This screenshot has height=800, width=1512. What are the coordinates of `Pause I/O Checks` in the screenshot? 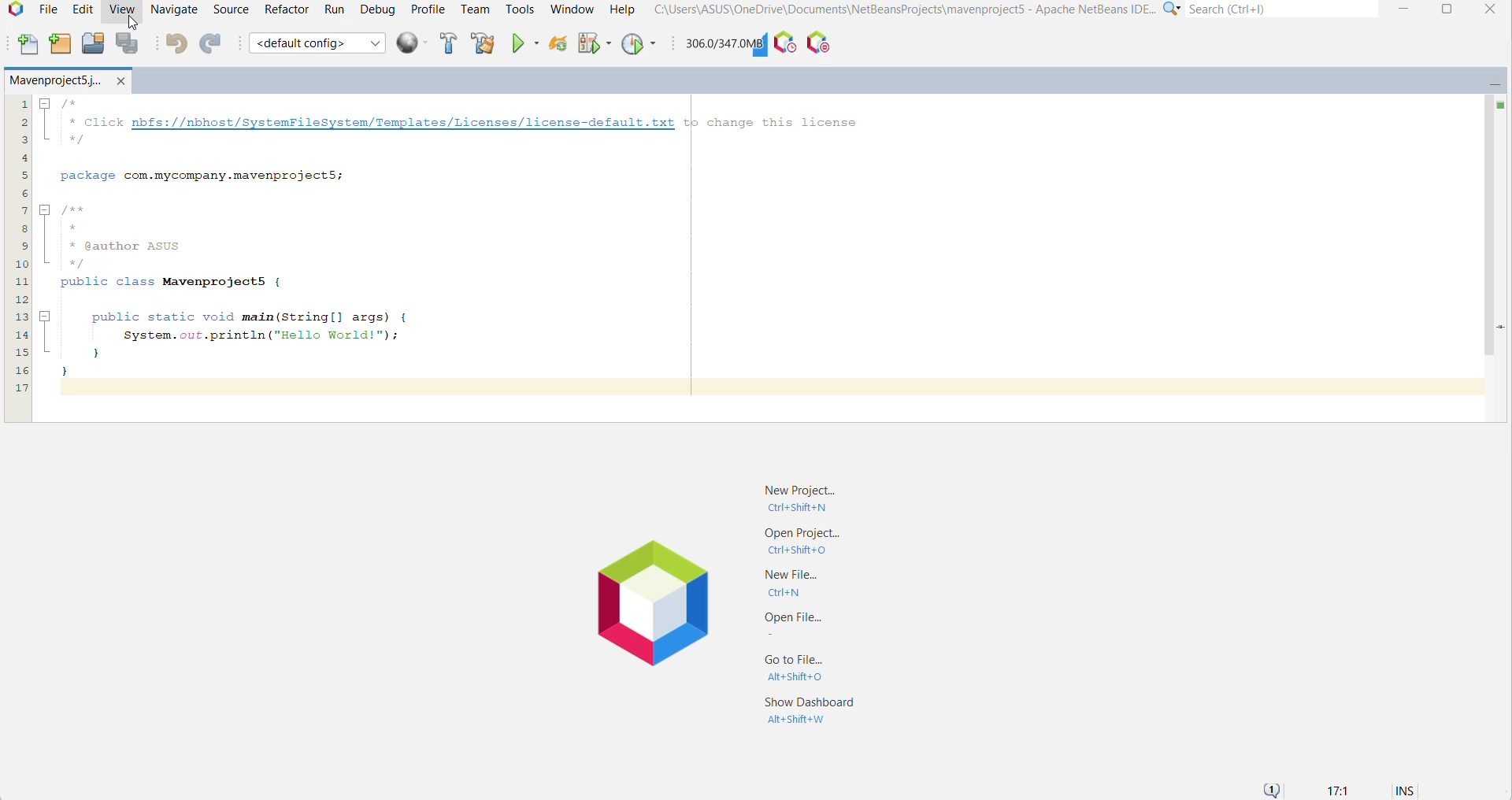 It's located at (819, 44).